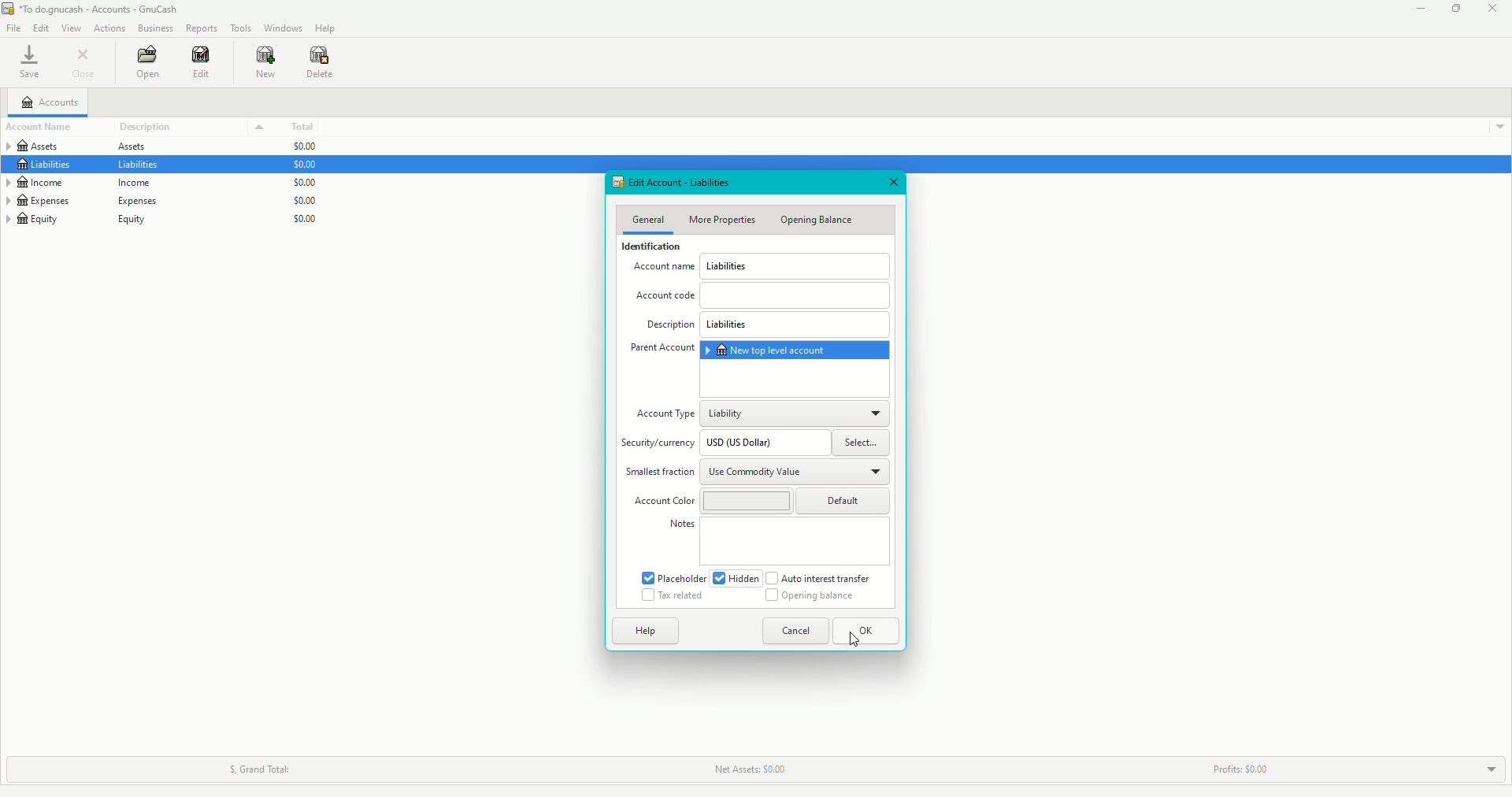  I want to click on Edit, so click(200, 66).